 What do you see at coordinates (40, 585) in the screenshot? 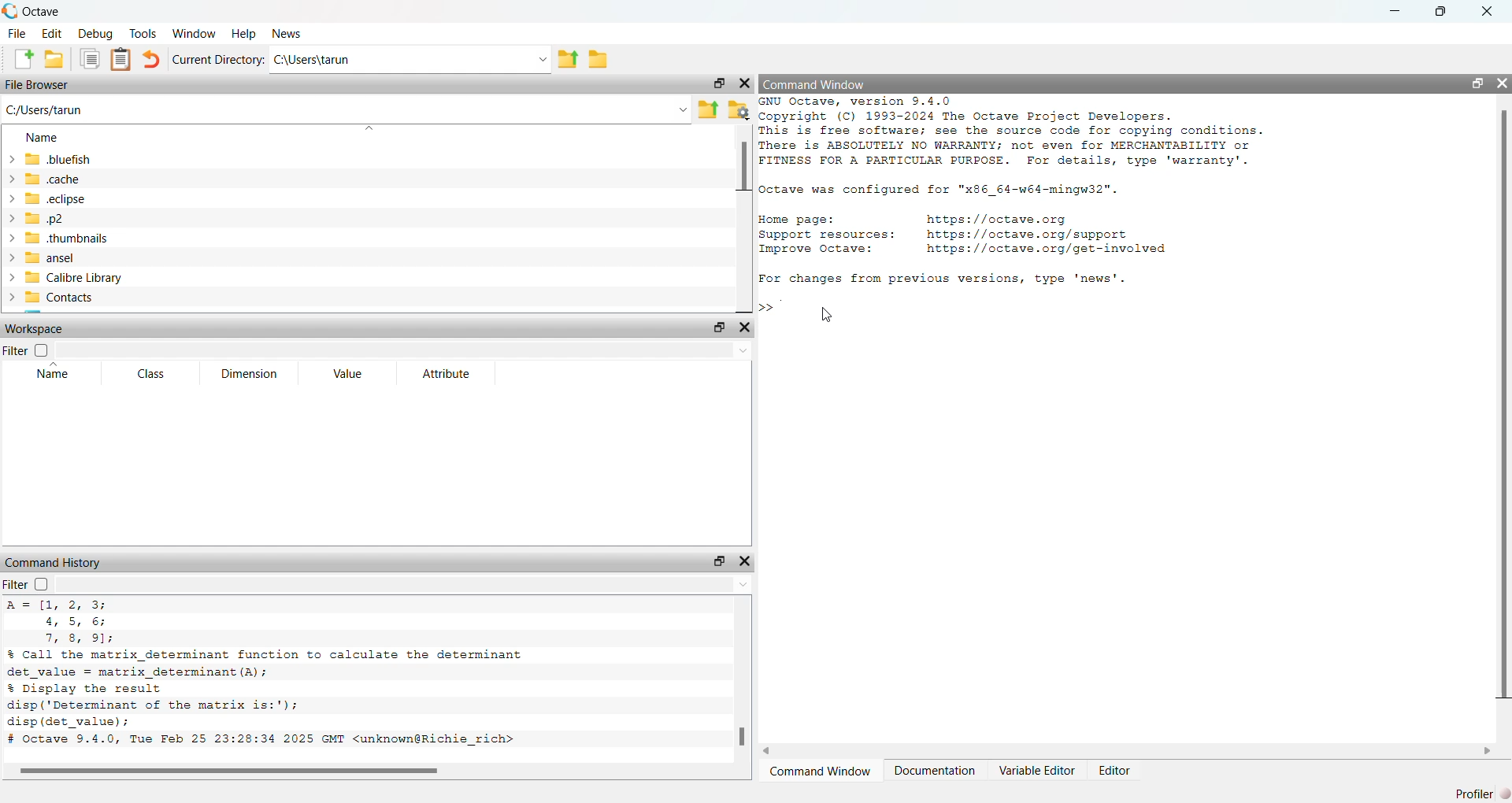
I see `off` at bounding box center [40, 585].